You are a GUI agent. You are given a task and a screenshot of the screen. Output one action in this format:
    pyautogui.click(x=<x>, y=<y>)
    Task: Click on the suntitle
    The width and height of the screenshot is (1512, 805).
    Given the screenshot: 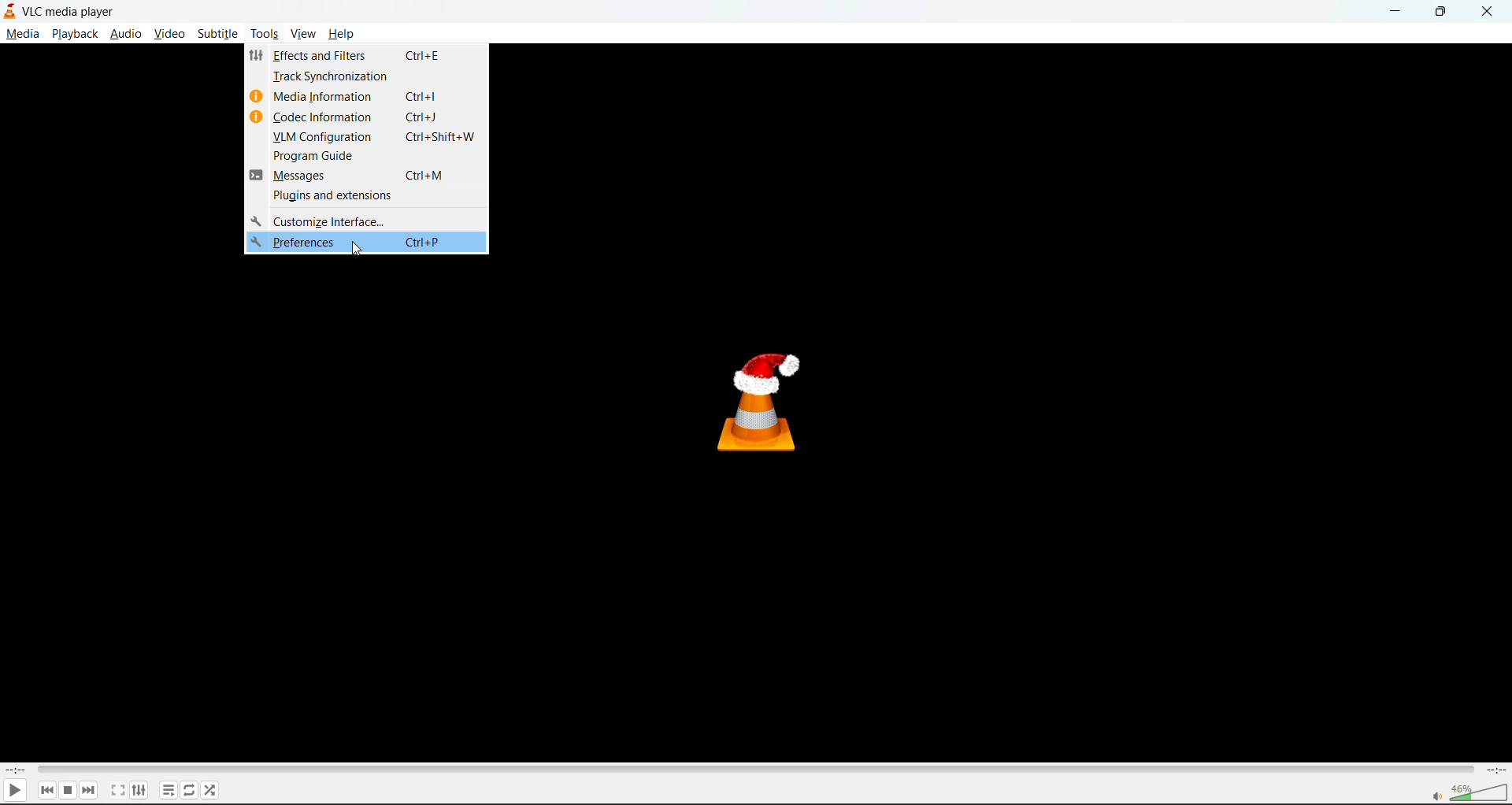 What is the action you would take?
    pyautogui.click(x=217, y=33)
    